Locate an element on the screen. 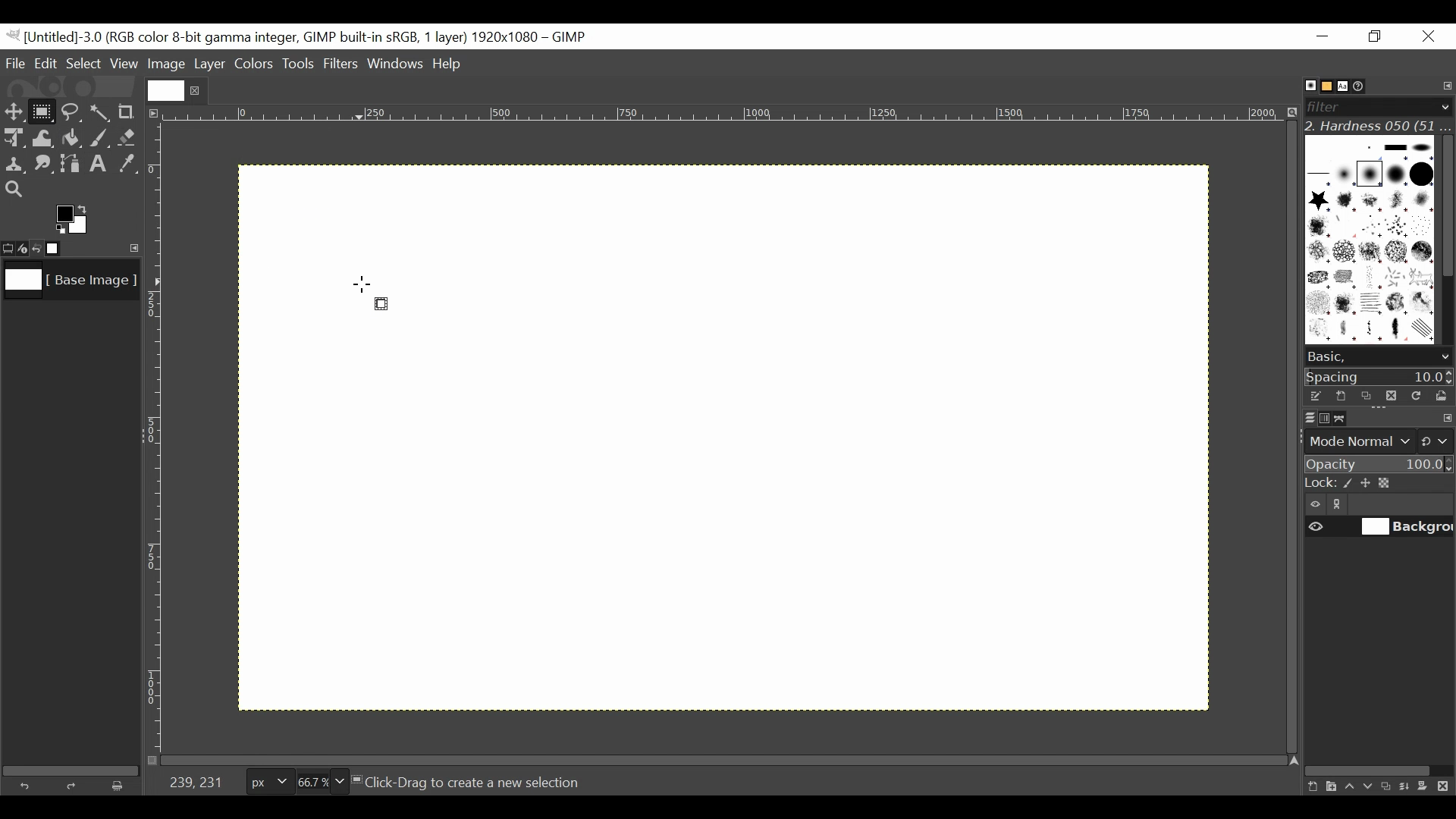 This screenshot has height=819, width=1456. Create a new layer is located at coordinates (1330, 786).